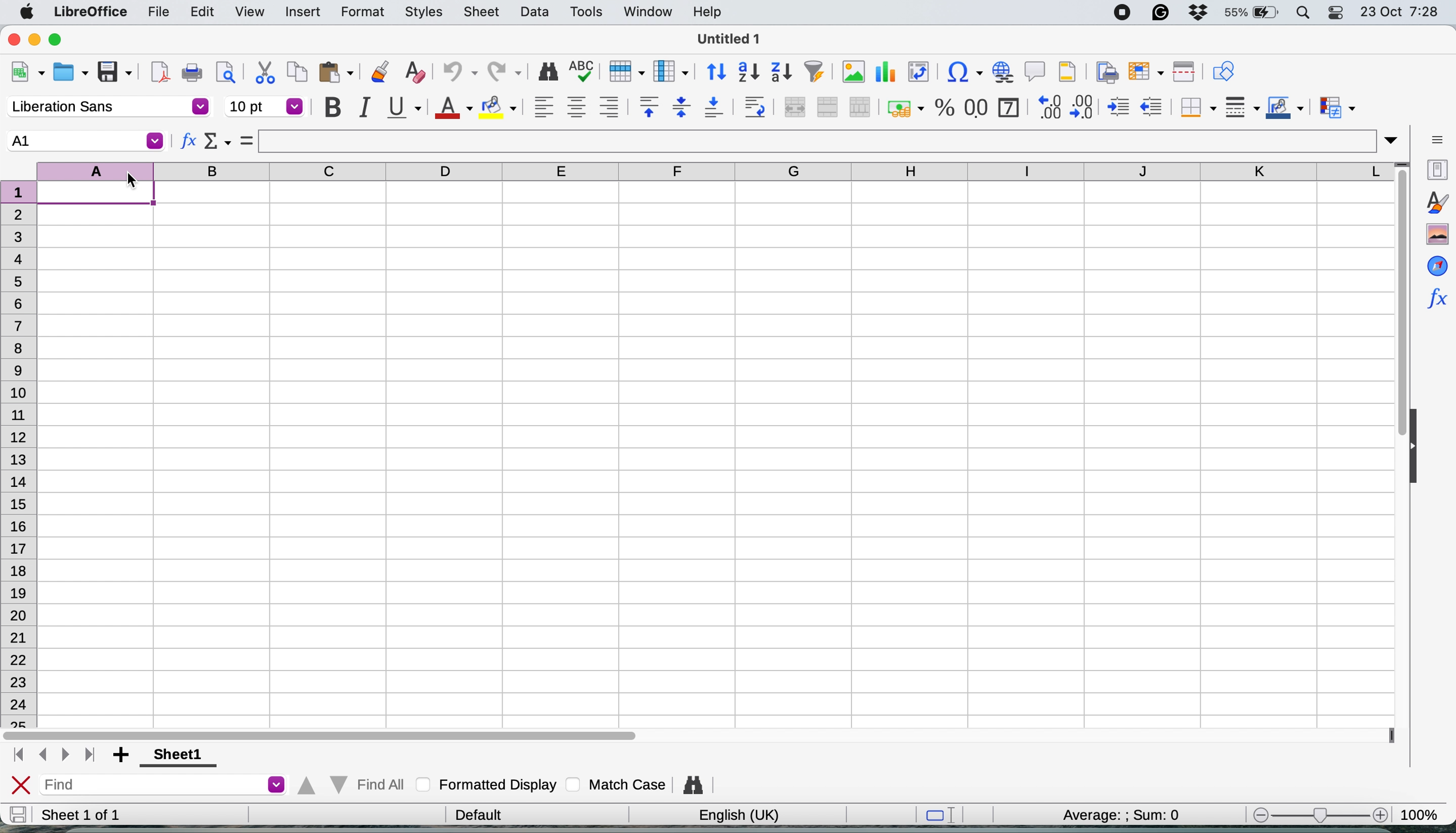 Image resolution: width=1456 pixels, height=833 pixels. What do you see at coordinates (1315, 812) in the screenshot?
I see `zoom scale` at bounding box center [1315, 812].